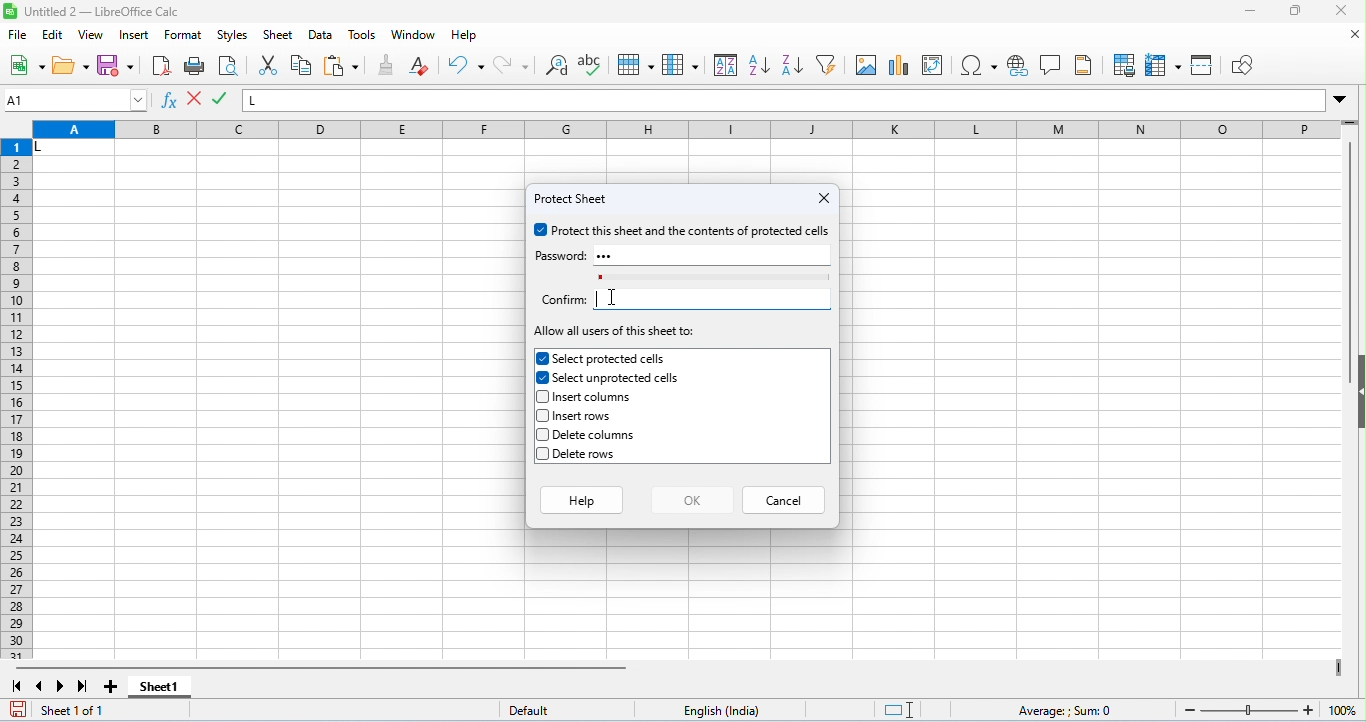 Image resolution: width=1366 pixels, height=722 pixels. Describe the element at coordinates (136, 36) in the screenshot. I see `insert` at that location.